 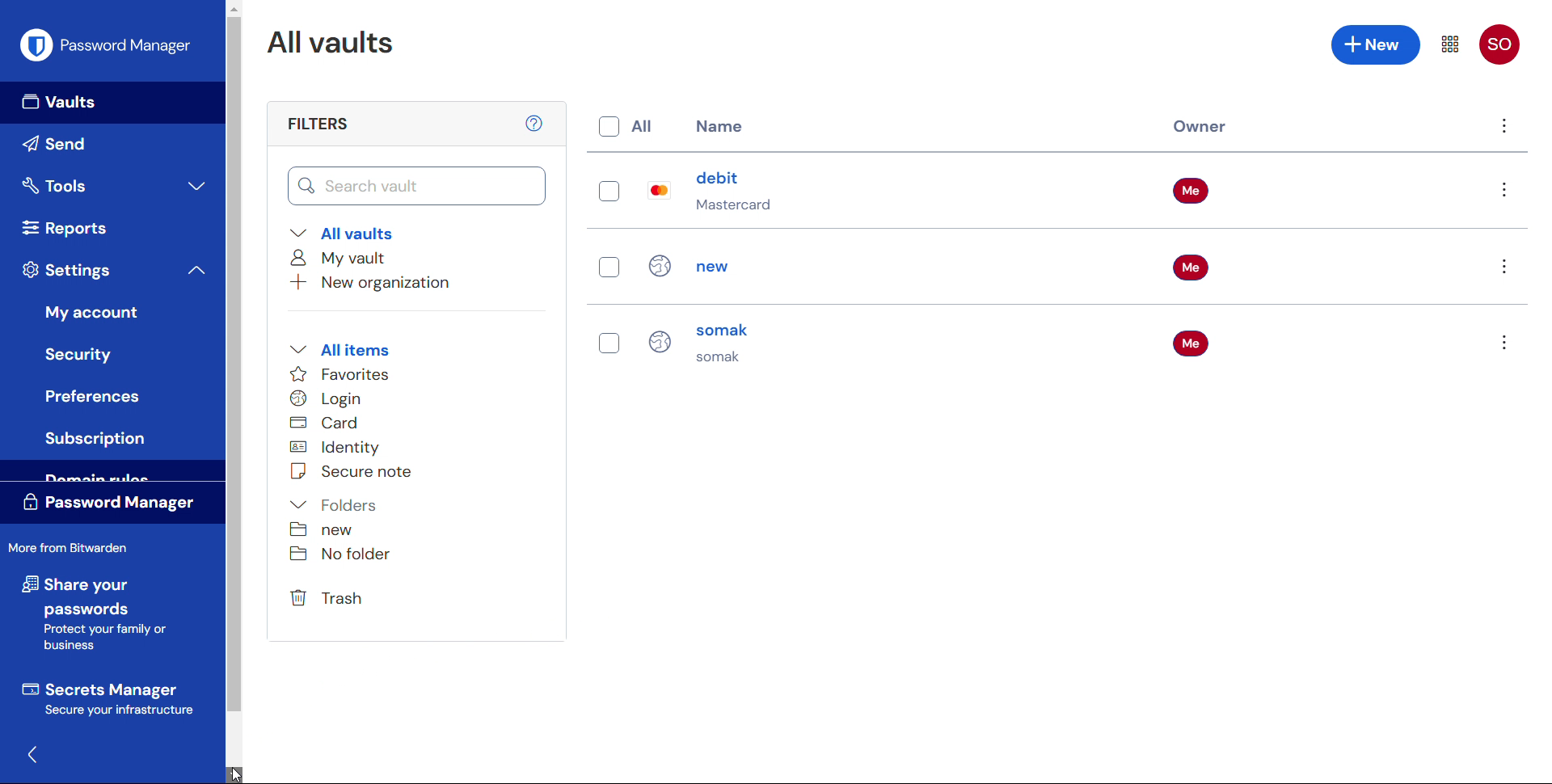 What do you see at coordinates (609, 270) in the screenshot?
I see `Select individual entries ` at bounding box center [609, 270].